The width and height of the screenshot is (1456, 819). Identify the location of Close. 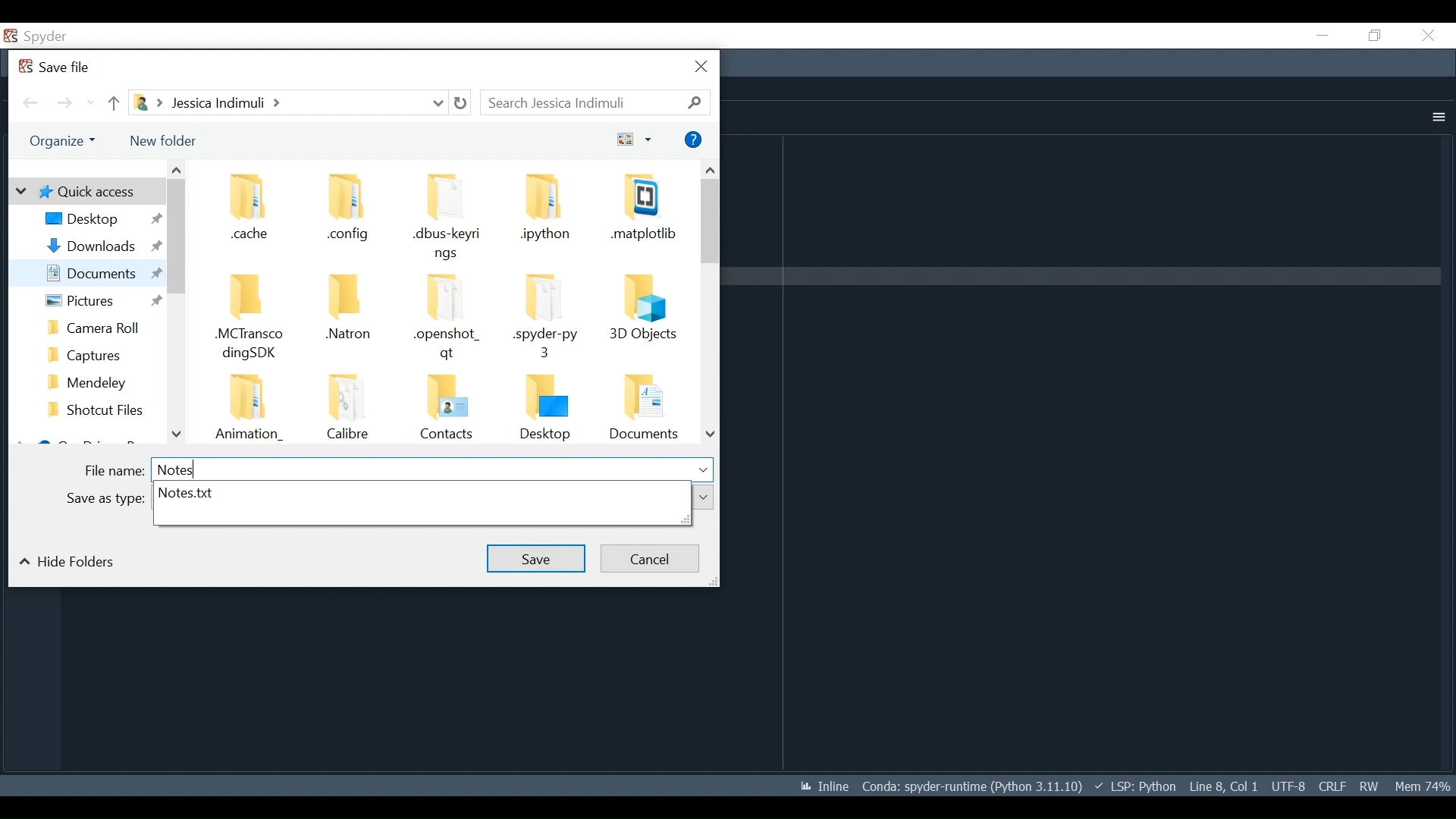
(1428, 35).